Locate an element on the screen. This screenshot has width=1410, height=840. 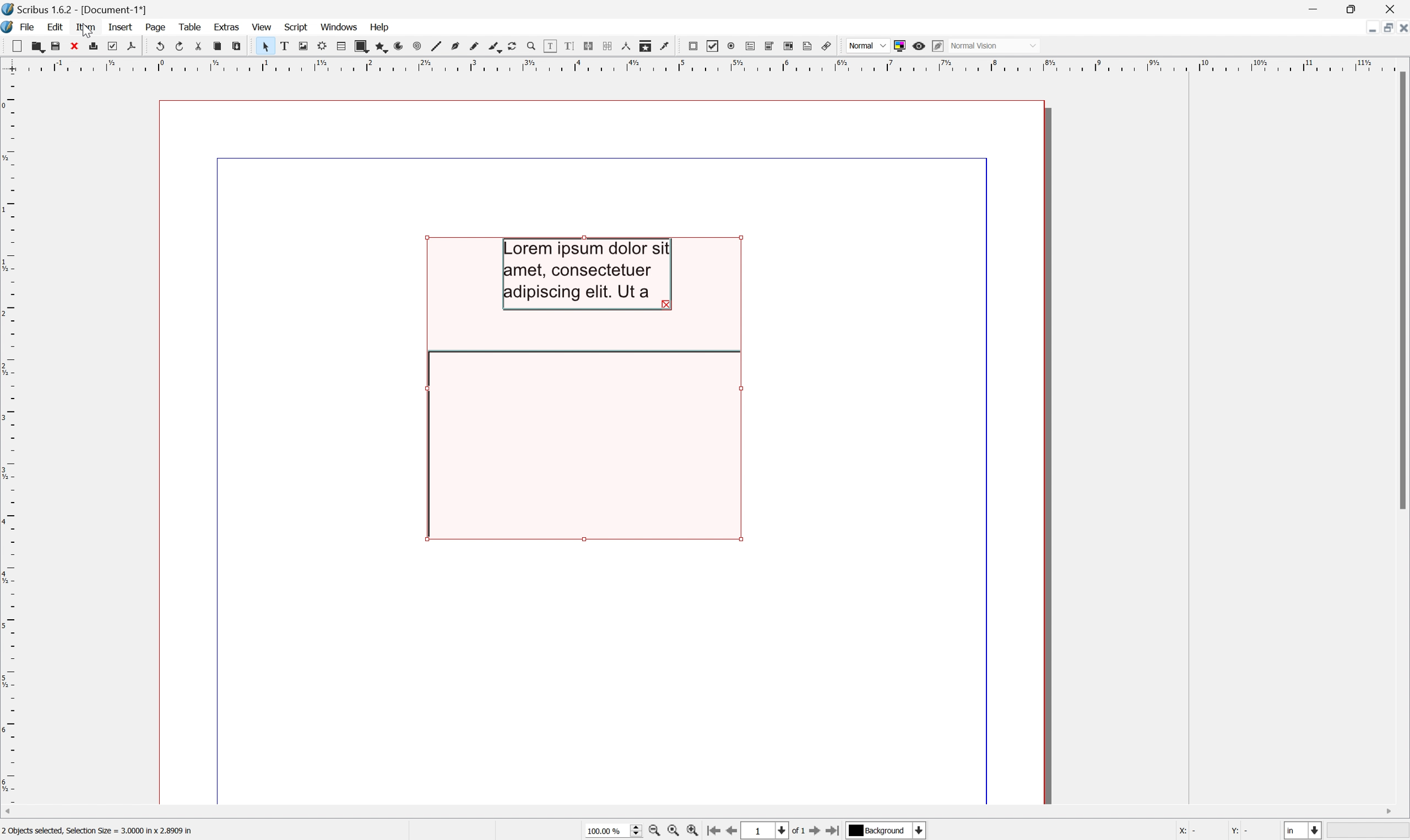
Save is located at coordinates (54, 46).